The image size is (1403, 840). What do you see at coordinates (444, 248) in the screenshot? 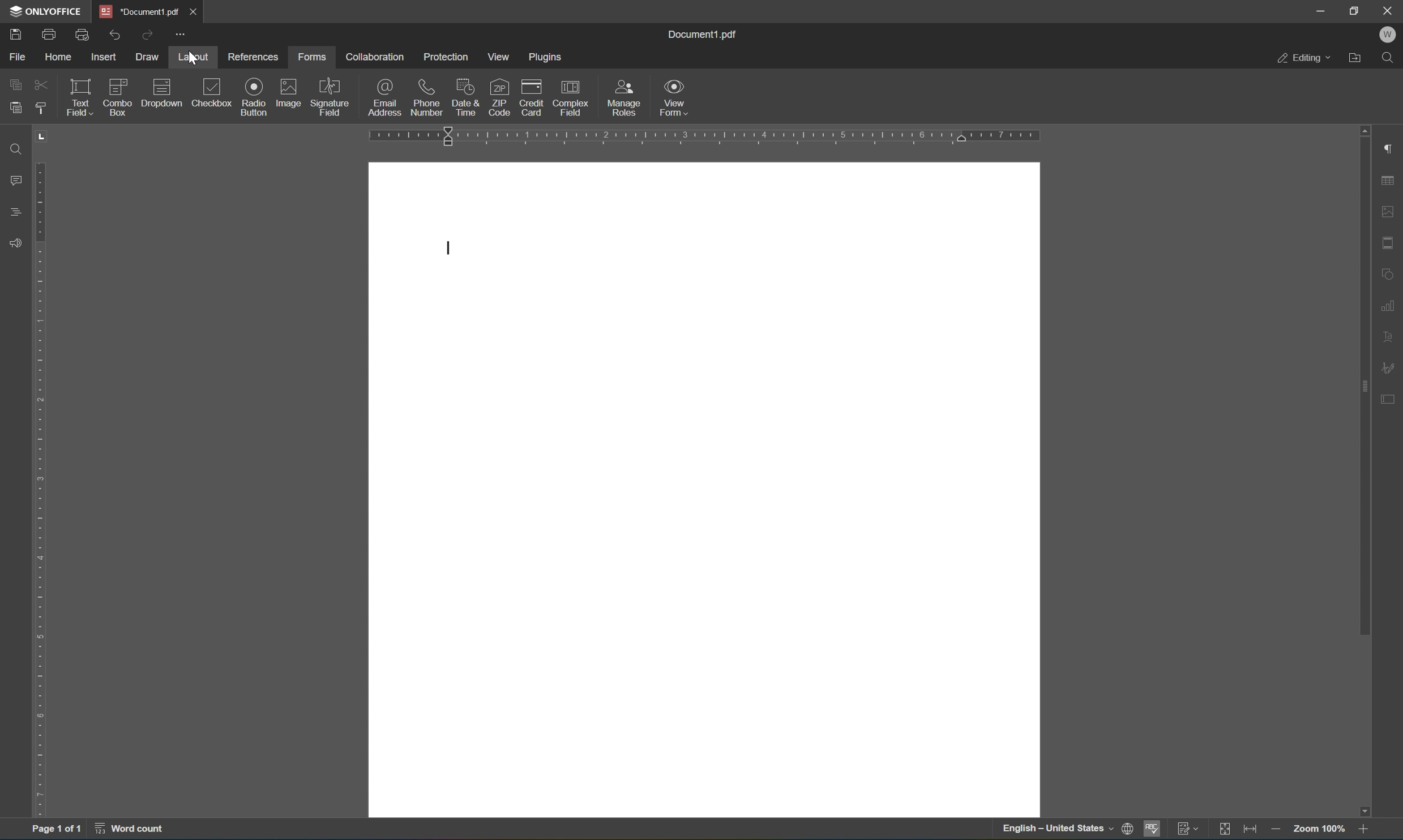
I see `Typing cursor` at bounding box center [444, 248].